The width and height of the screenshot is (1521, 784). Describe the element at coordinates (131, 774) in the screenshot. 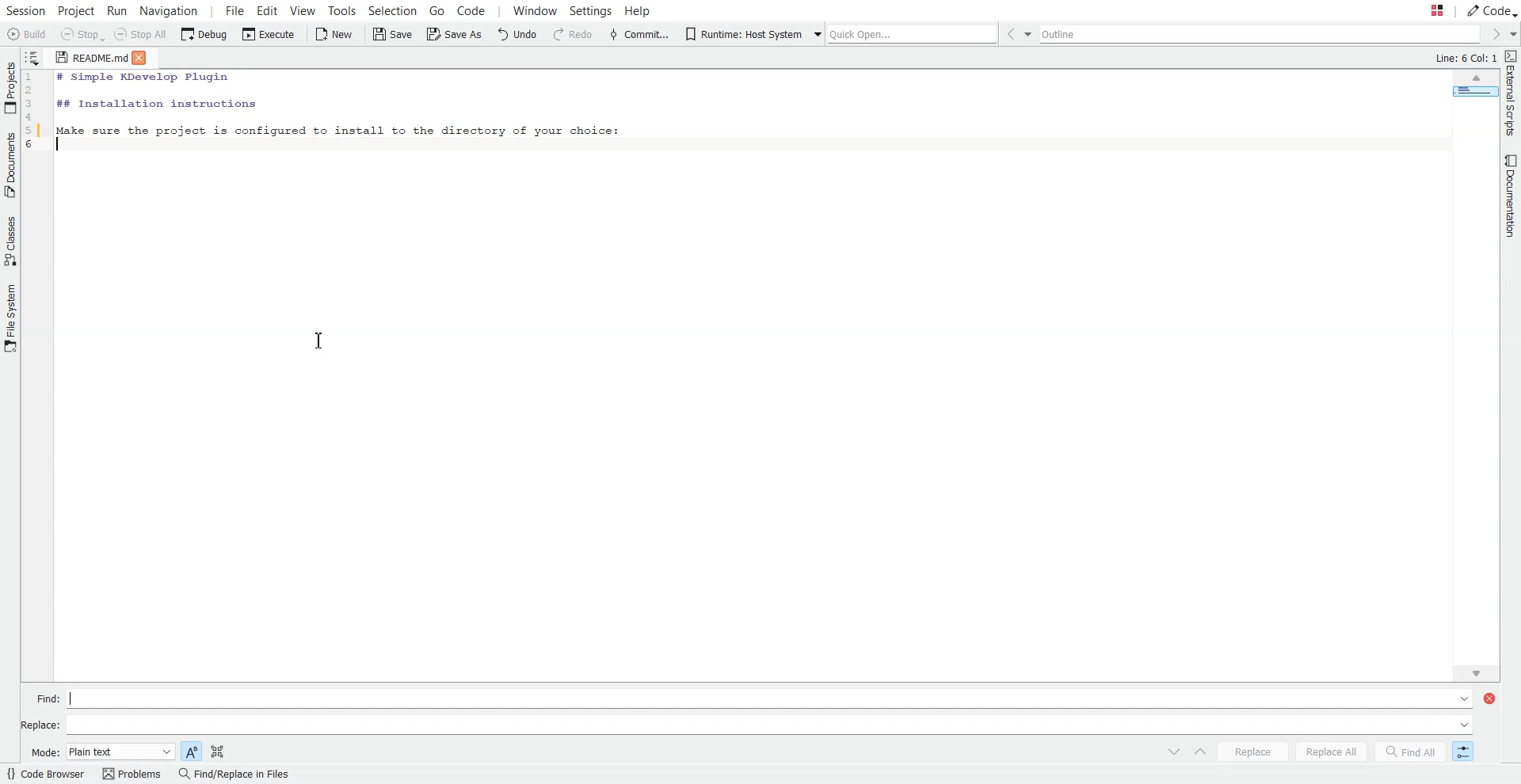

I see `Problems` at that location.